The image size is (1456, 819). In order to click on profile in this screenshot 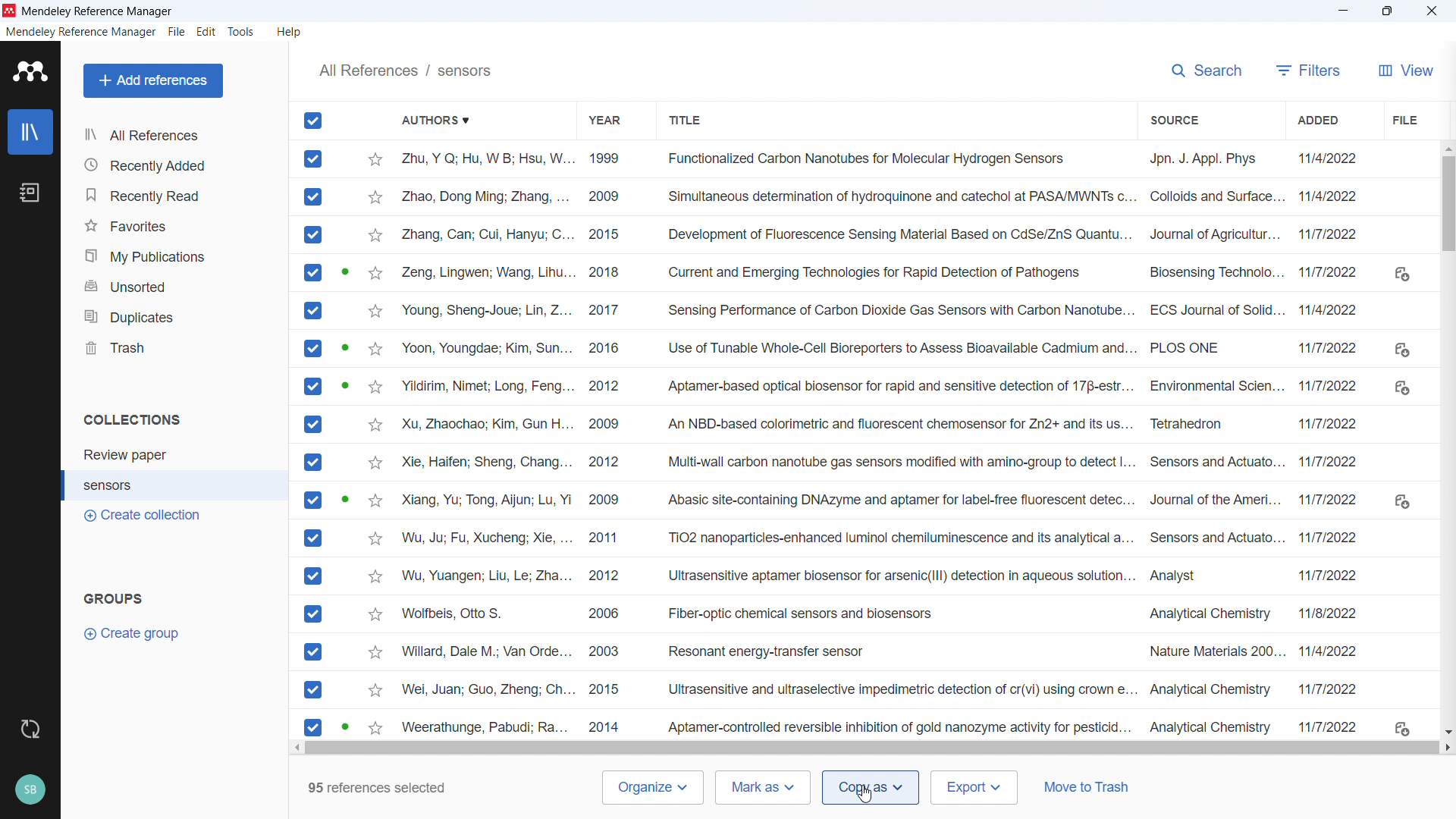, I will do `click(30, 790)`.